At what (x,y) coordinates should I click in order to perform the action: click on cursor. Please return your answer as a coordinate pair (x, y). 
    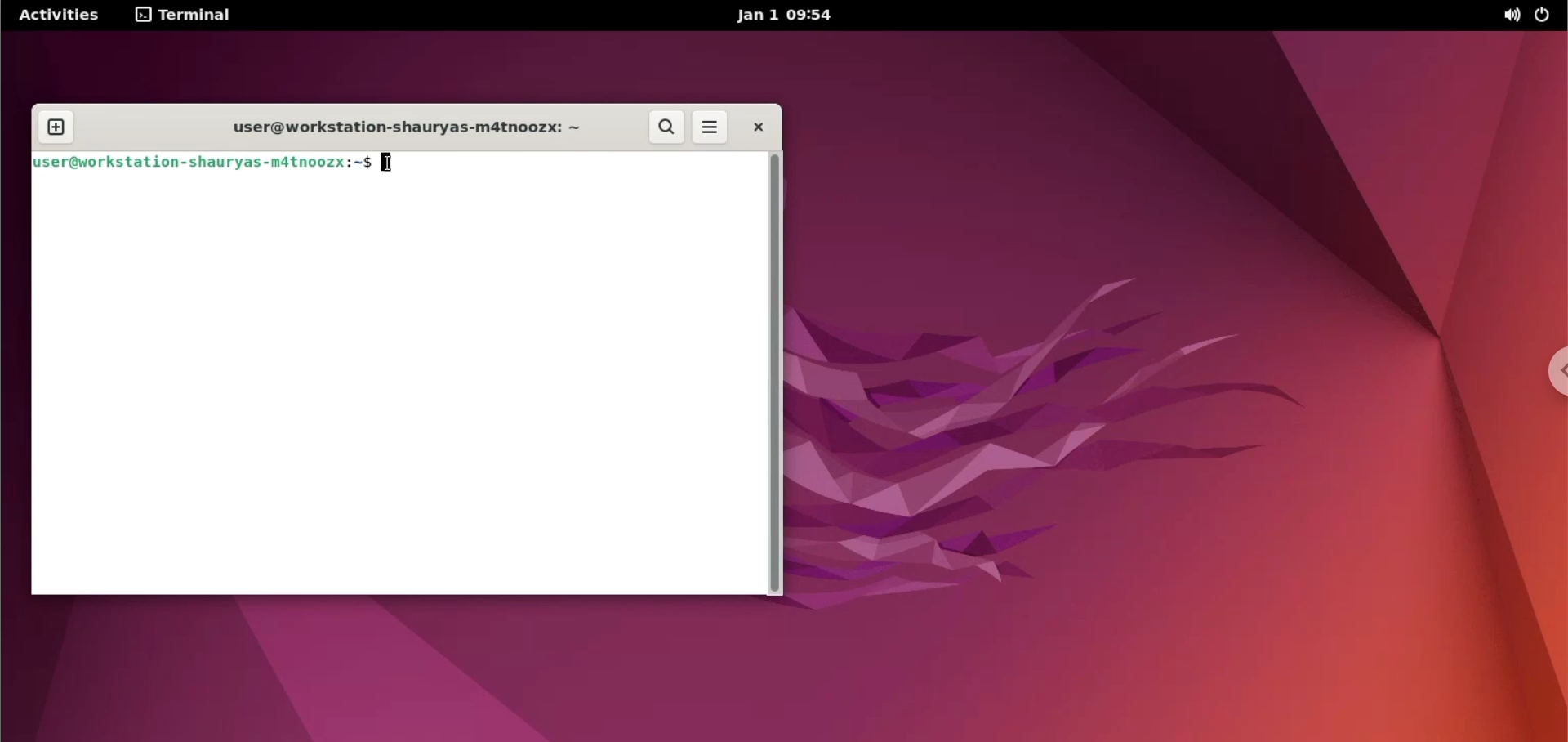
    Looking at the image, I should click on (386, 162).